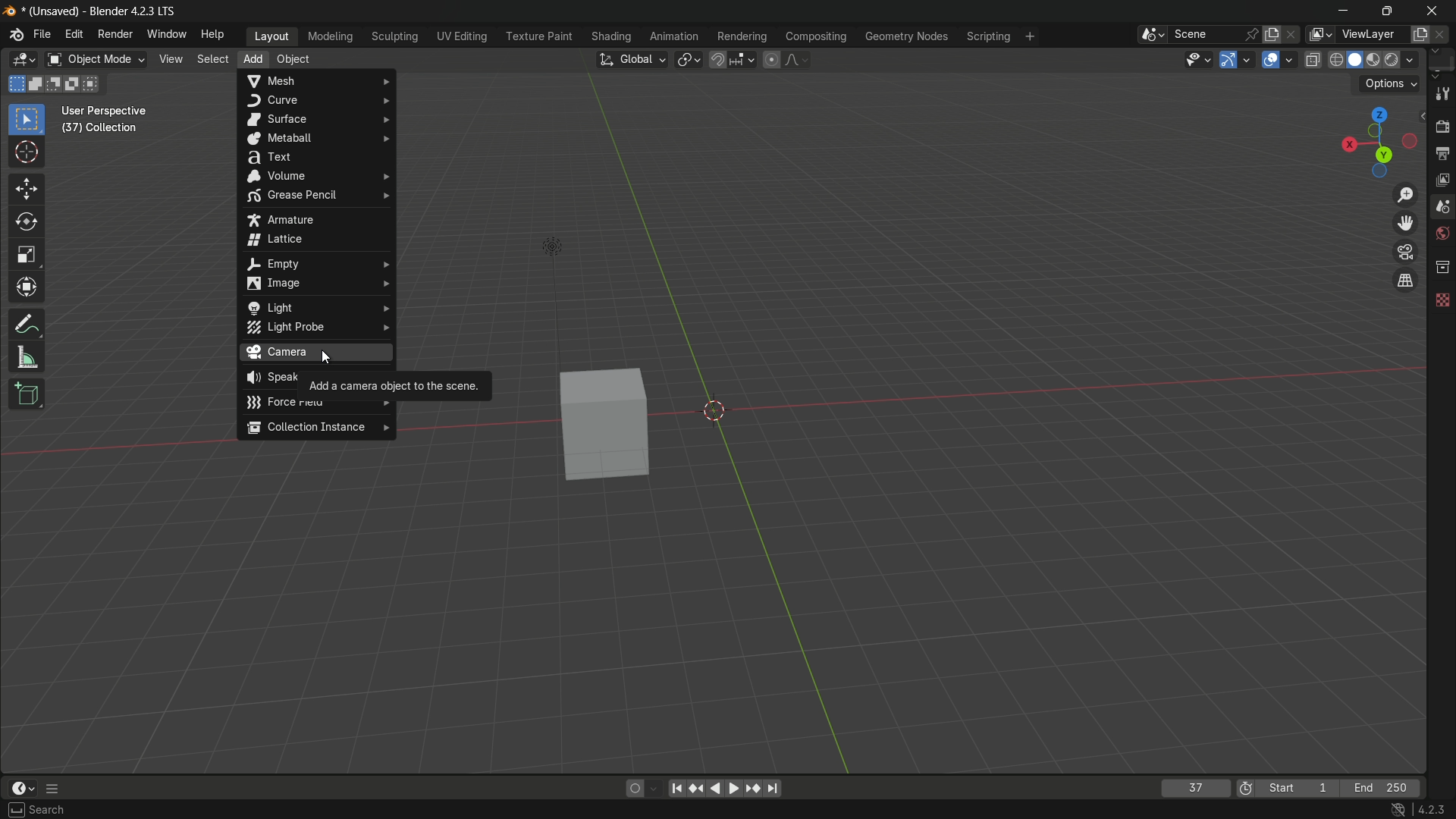 The width and height of the screenshot is (1456, 819). What do you see at coordinates (734, 59) in the screenshot?
I see `snap` at bounding box center [734, 59].